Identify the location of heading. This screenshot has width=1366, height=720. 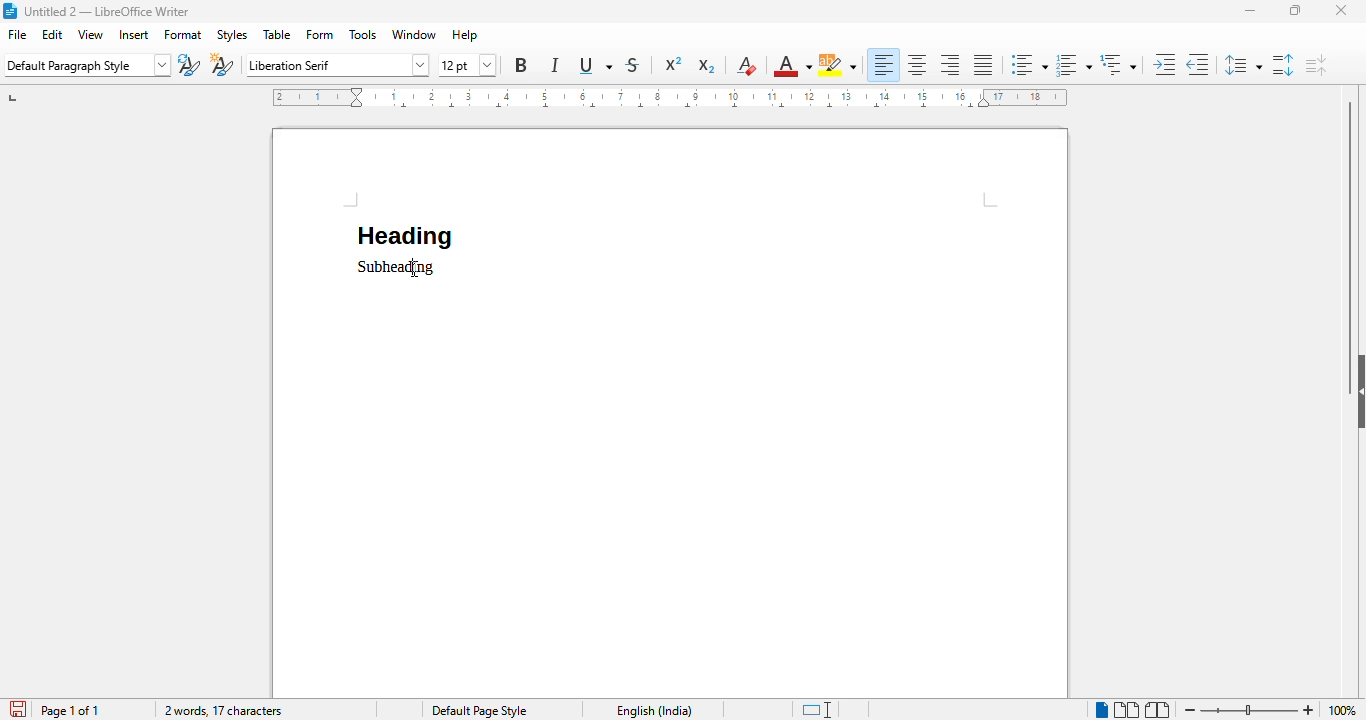
(403, 236).